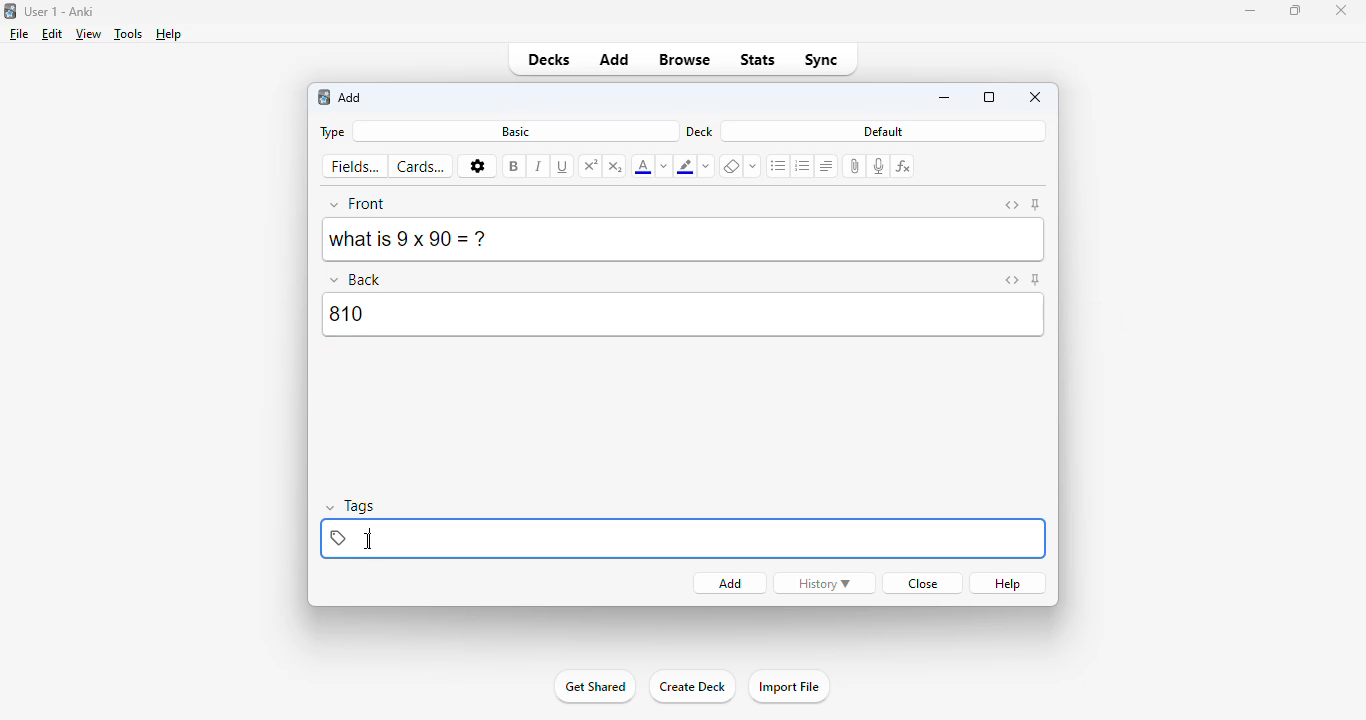 Image resolution: width=1366 pixels, height=720 pixels. What do you see at coordinates (731, 167) in the screenshot?
I see `remove formatting` at bounding box center [731, 167].